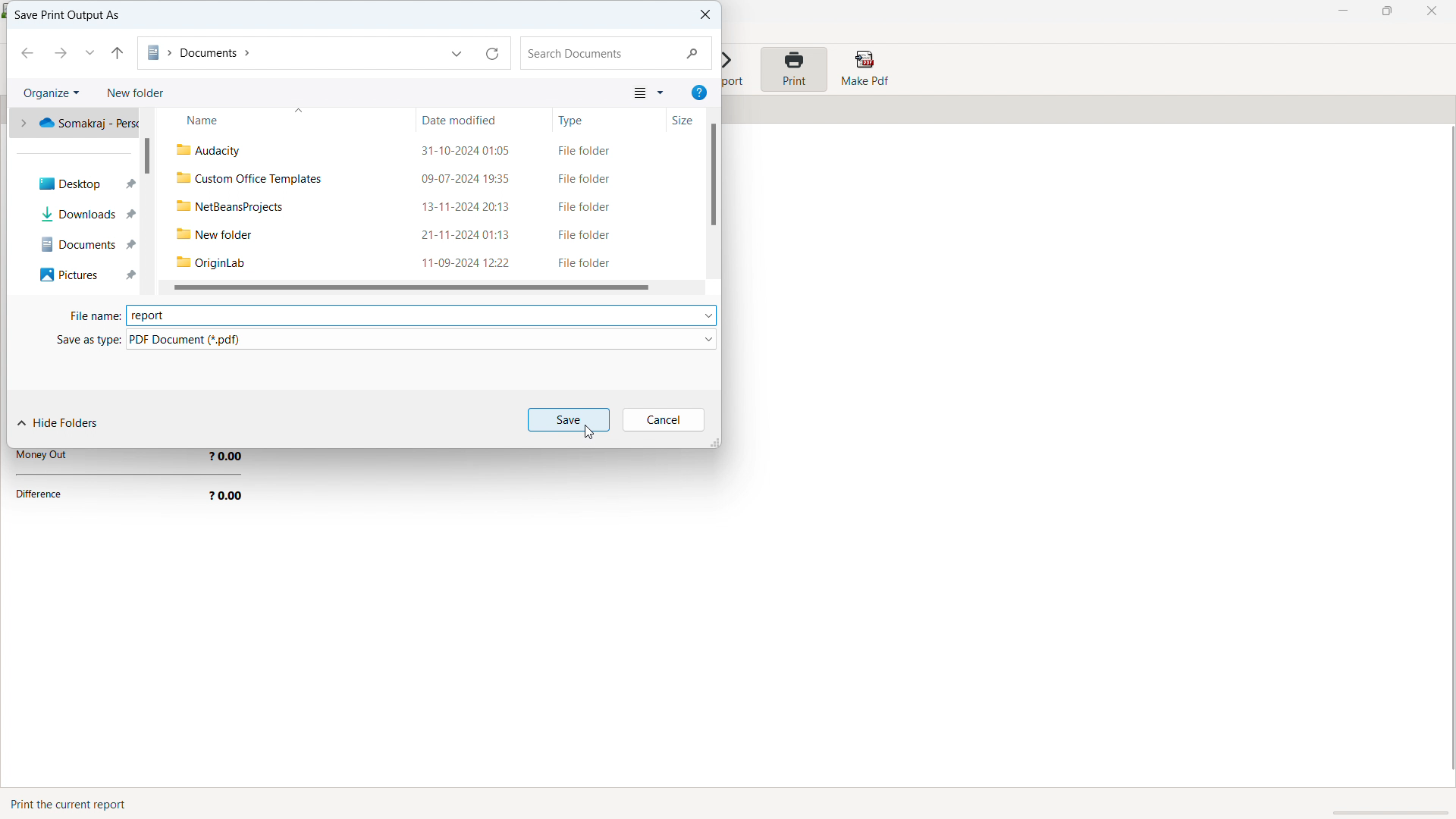 Image resolution: width=1456 pixels, height=819 pixels. Describe the element at coordinates (702, 15) in the screenshot. I see `close` at that location.